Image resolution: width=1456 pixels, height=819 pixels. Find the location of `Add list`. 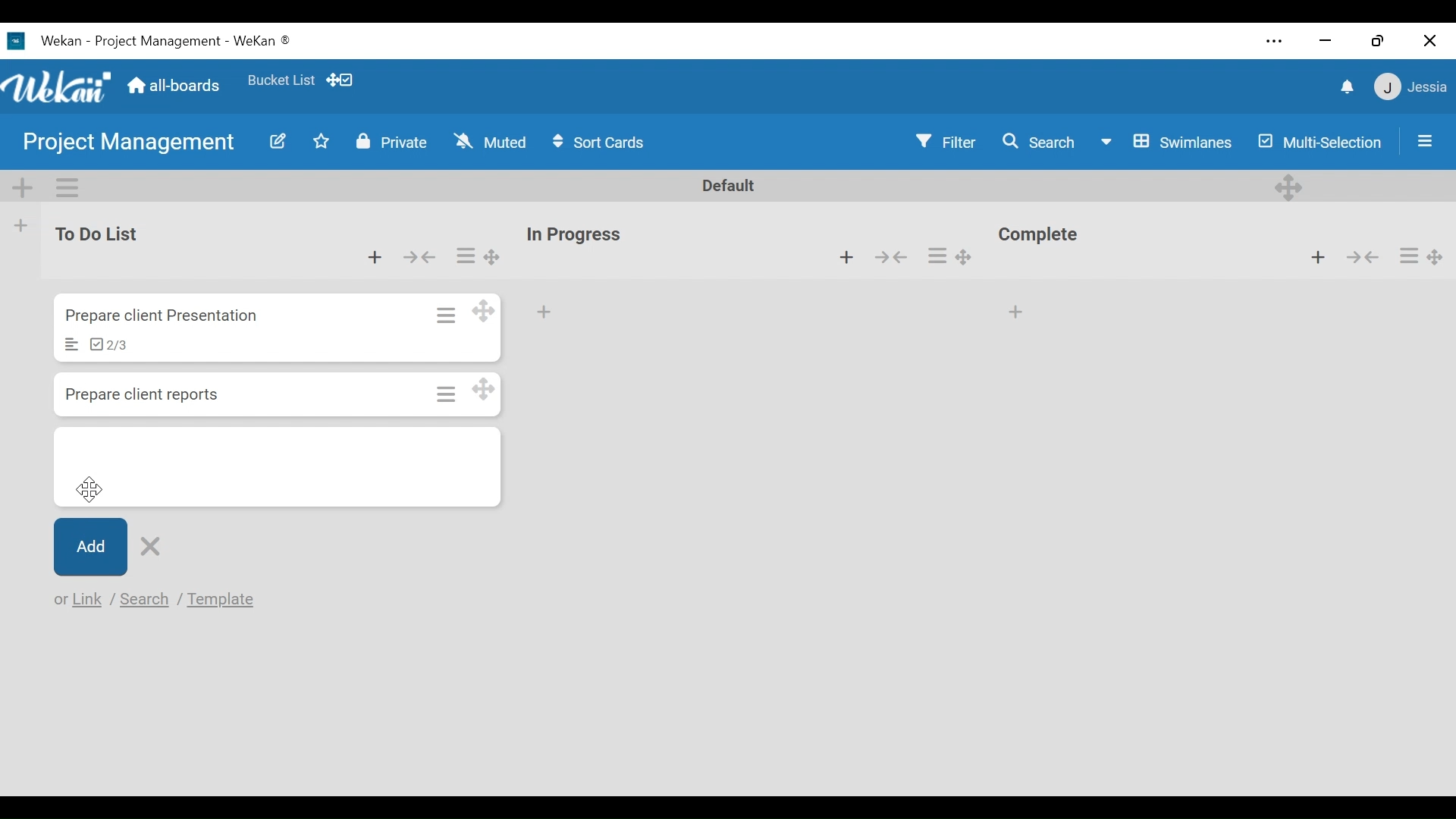

Add list is located at coordinates (22, 225).